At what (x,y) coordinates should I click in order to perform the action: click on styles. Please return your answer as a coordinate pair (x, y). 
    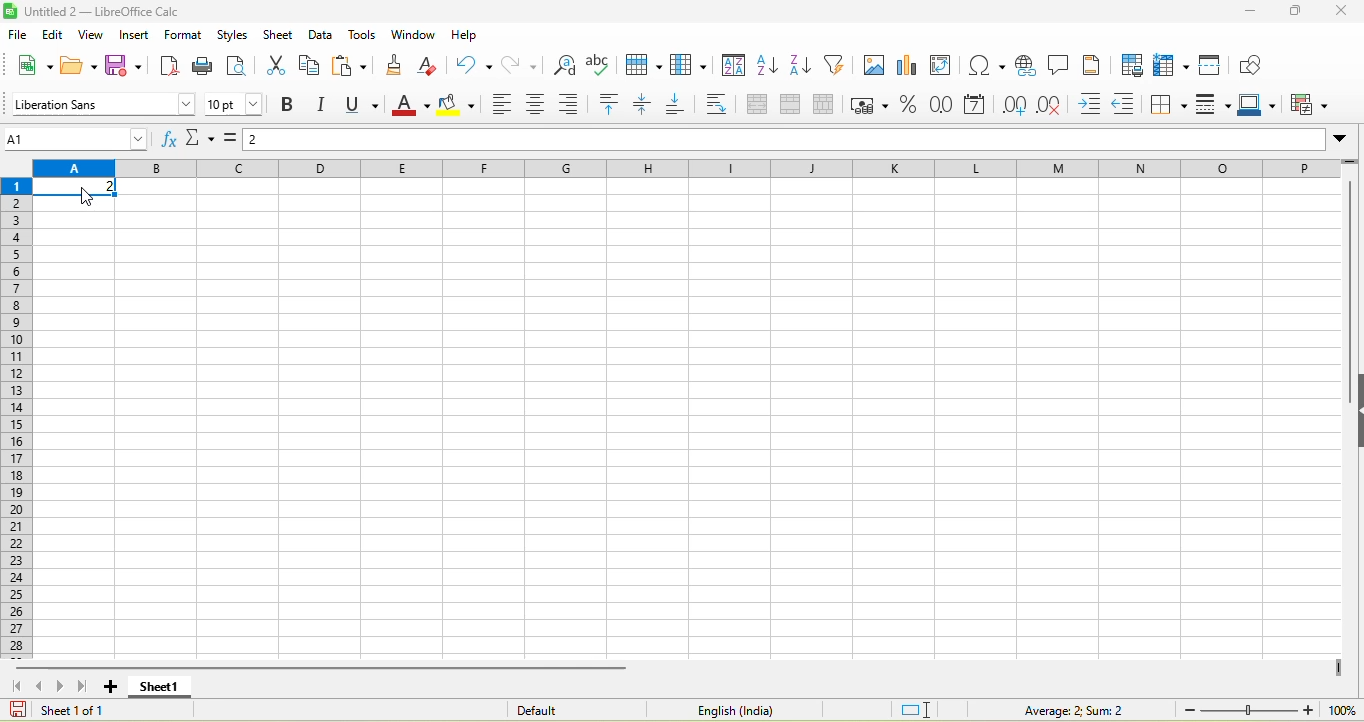
    Looking at the image, I should click on (231, 35).